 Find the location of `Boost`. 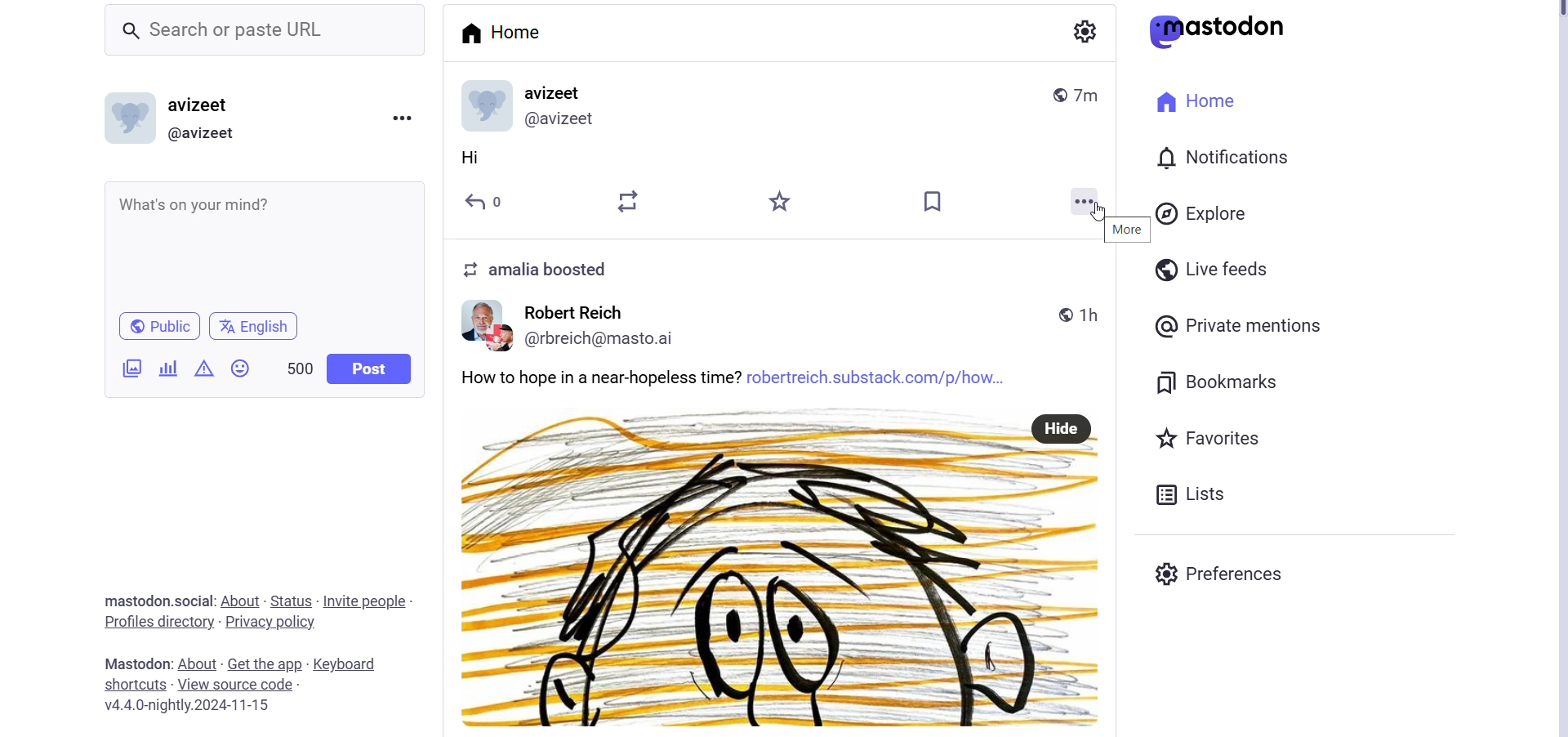

Boost is located at coordinates (629, 200).